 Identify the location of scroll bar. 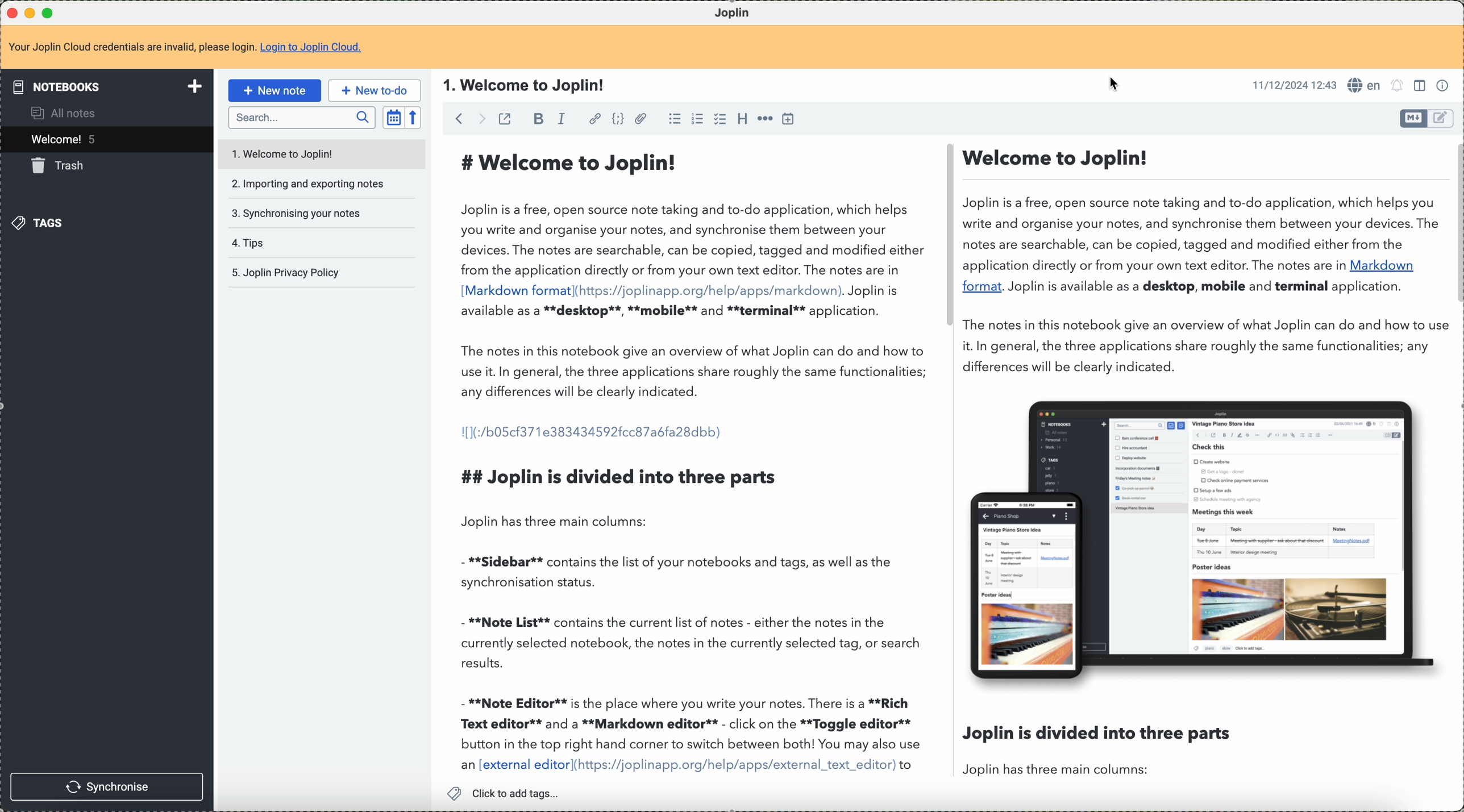
(946, 238).